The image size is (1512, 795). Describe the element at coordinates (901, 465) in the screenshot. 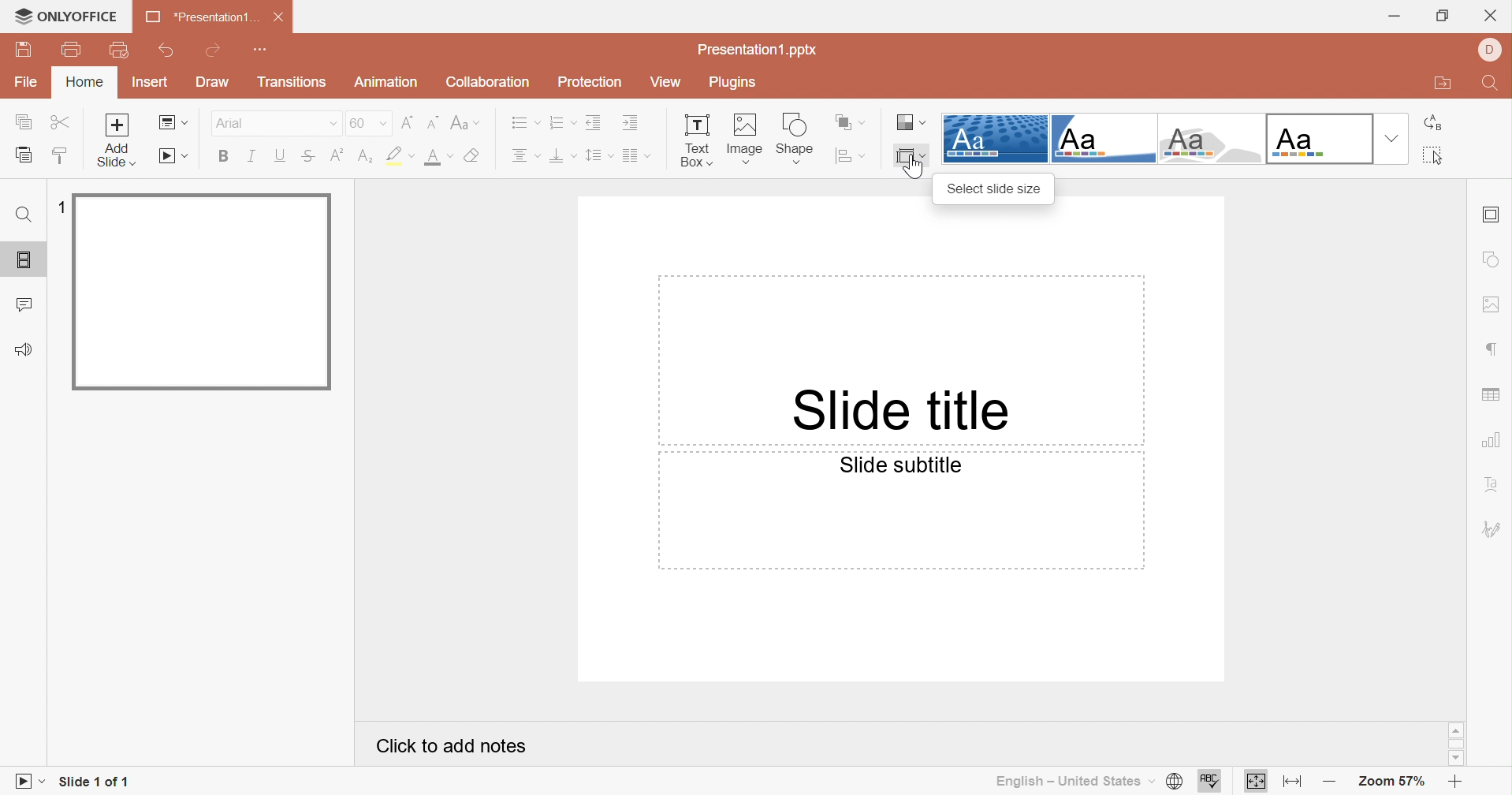

I see `Slide subtitle` at that location.